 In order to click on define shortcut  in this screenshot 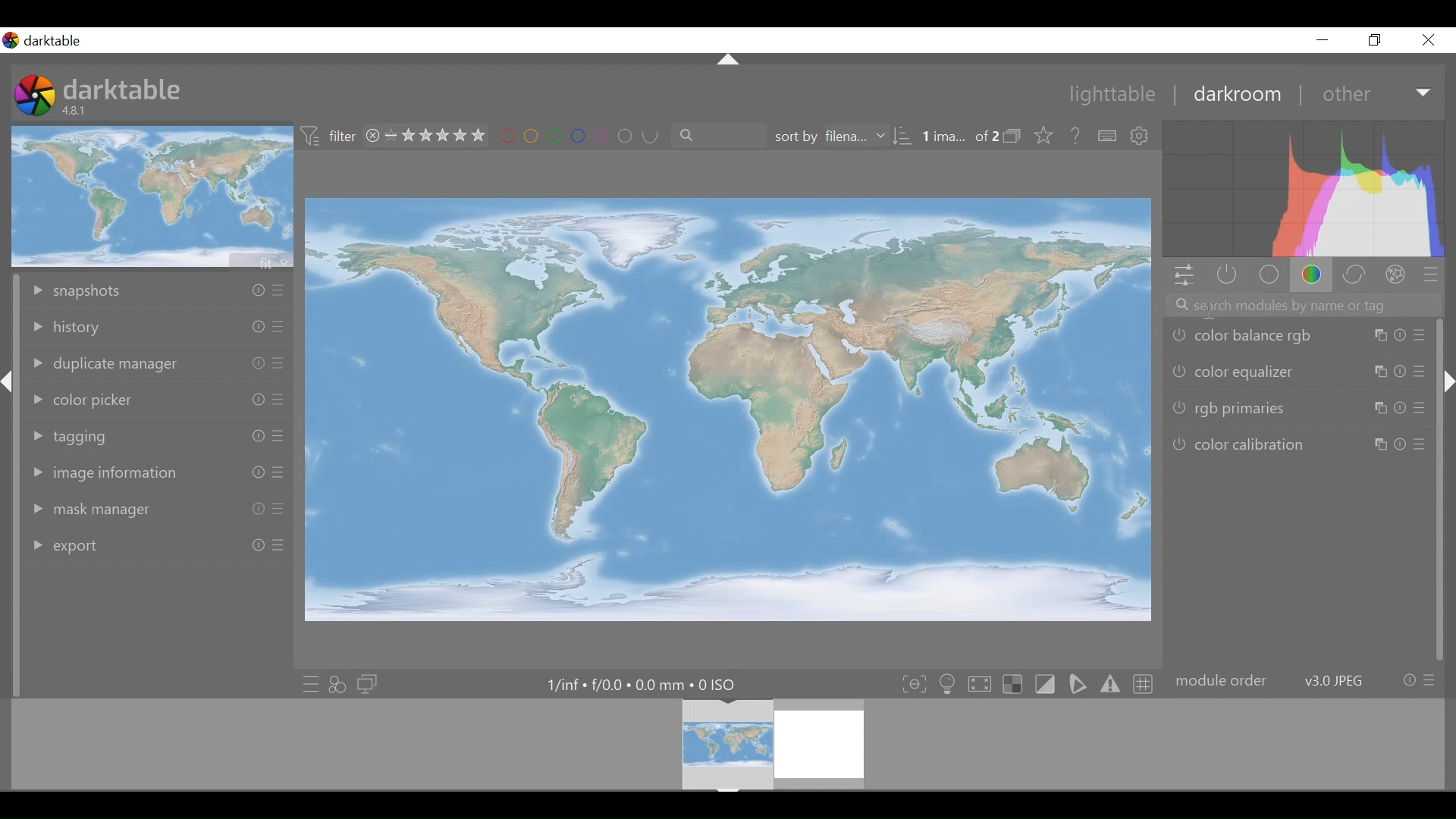, I will do `click(1105, 136)`.